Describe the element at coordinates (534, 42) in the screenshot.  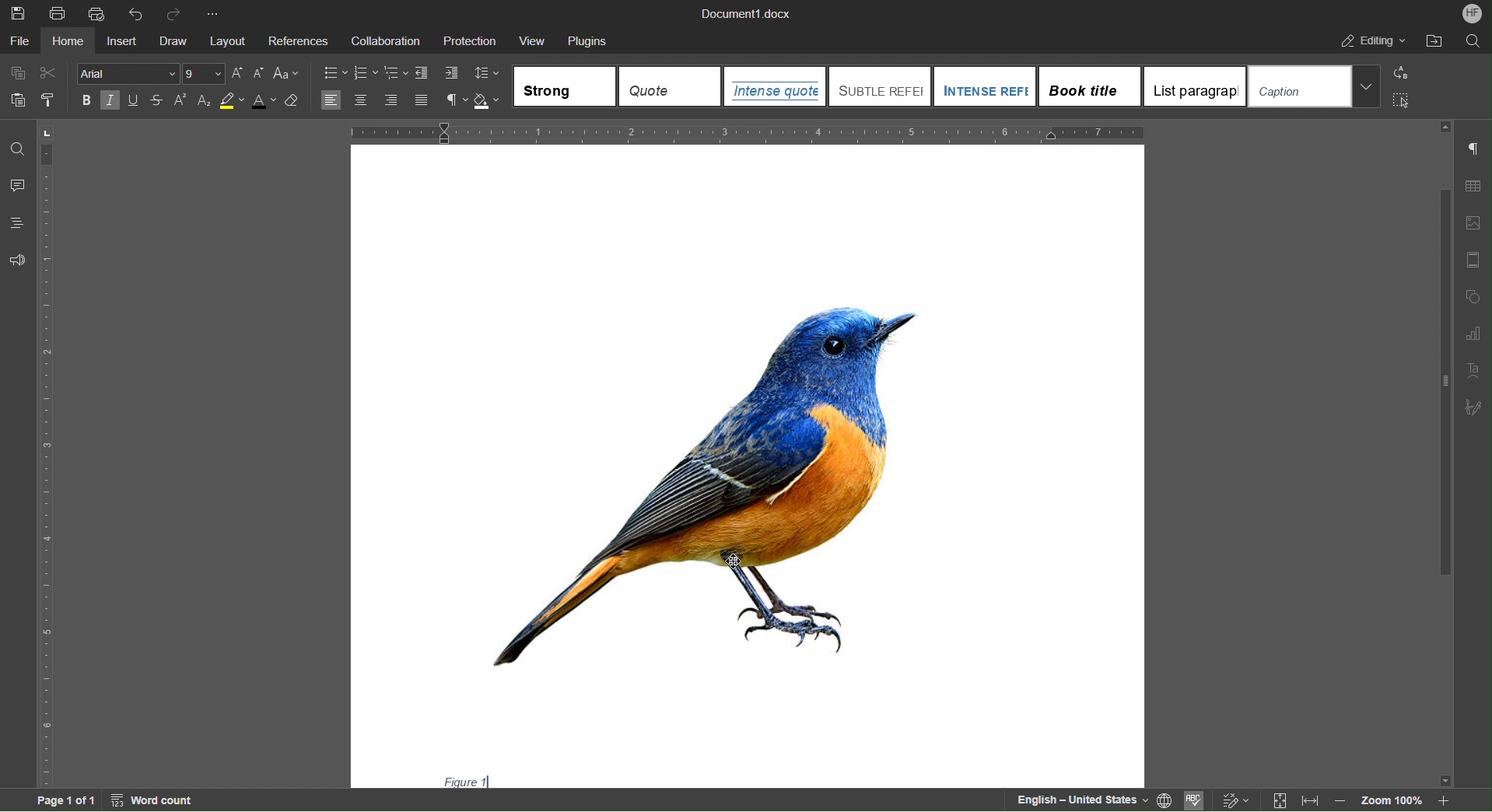
I see `View` at that location.